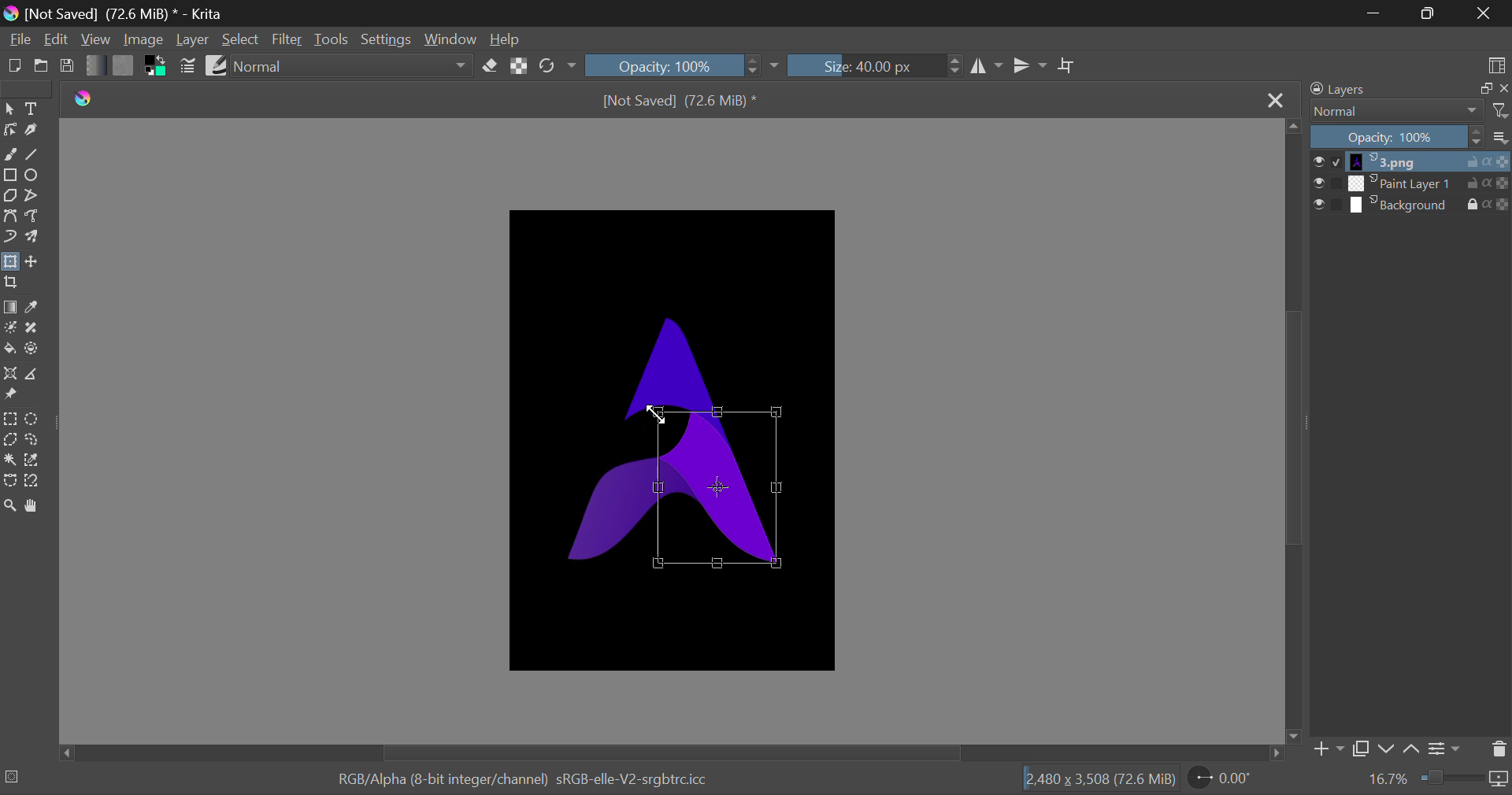 Image resolution: width=1512 pixels, height=795 pixels. What do you see at coordinates (10, 308) in the screenshot?
I see `Gradient Fill` at bounding box center [10, 308].